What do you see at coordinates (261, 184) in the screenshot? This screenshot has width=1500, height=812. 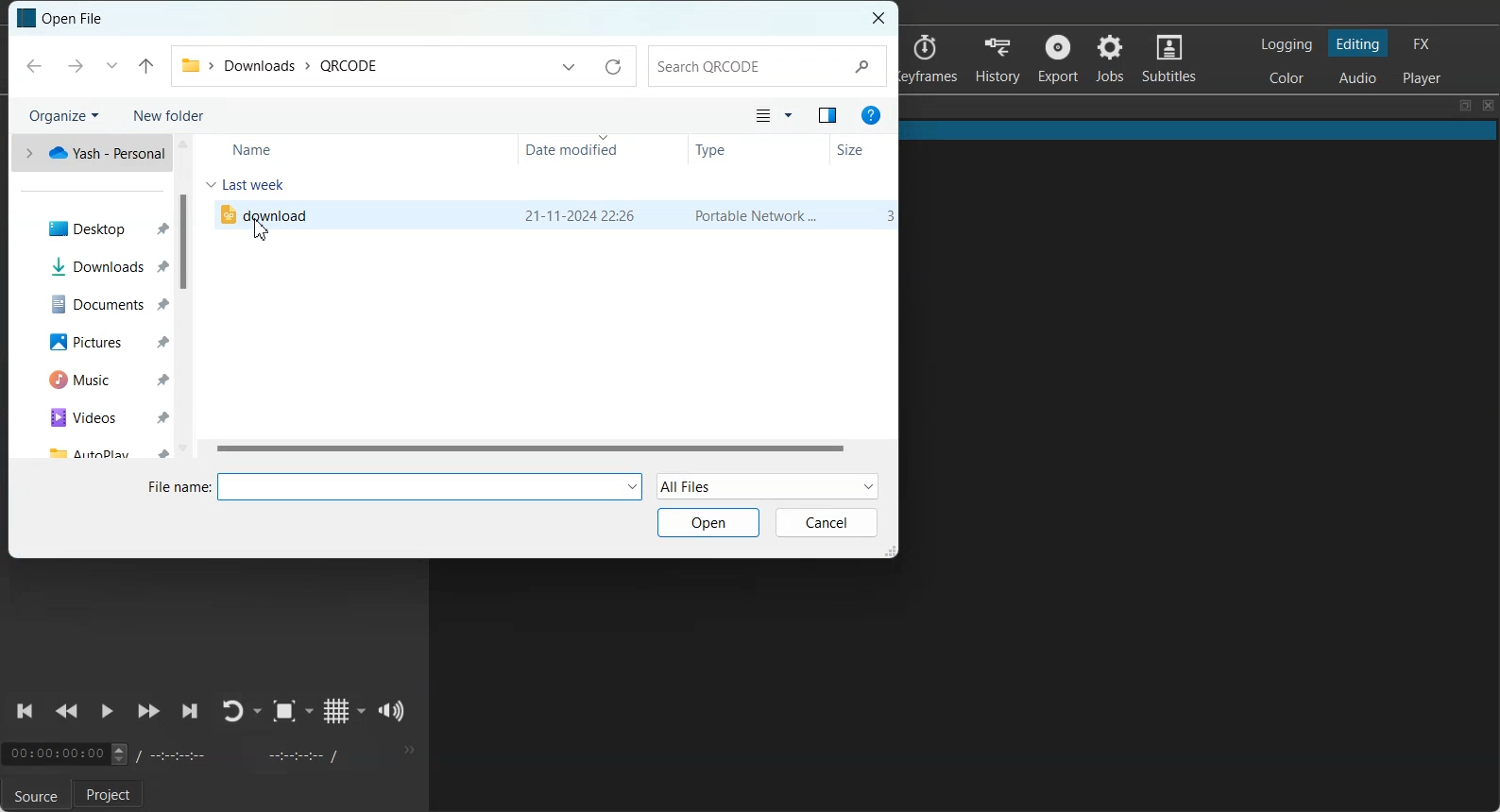 I see `Last Week` at bounding box center [261, 184].